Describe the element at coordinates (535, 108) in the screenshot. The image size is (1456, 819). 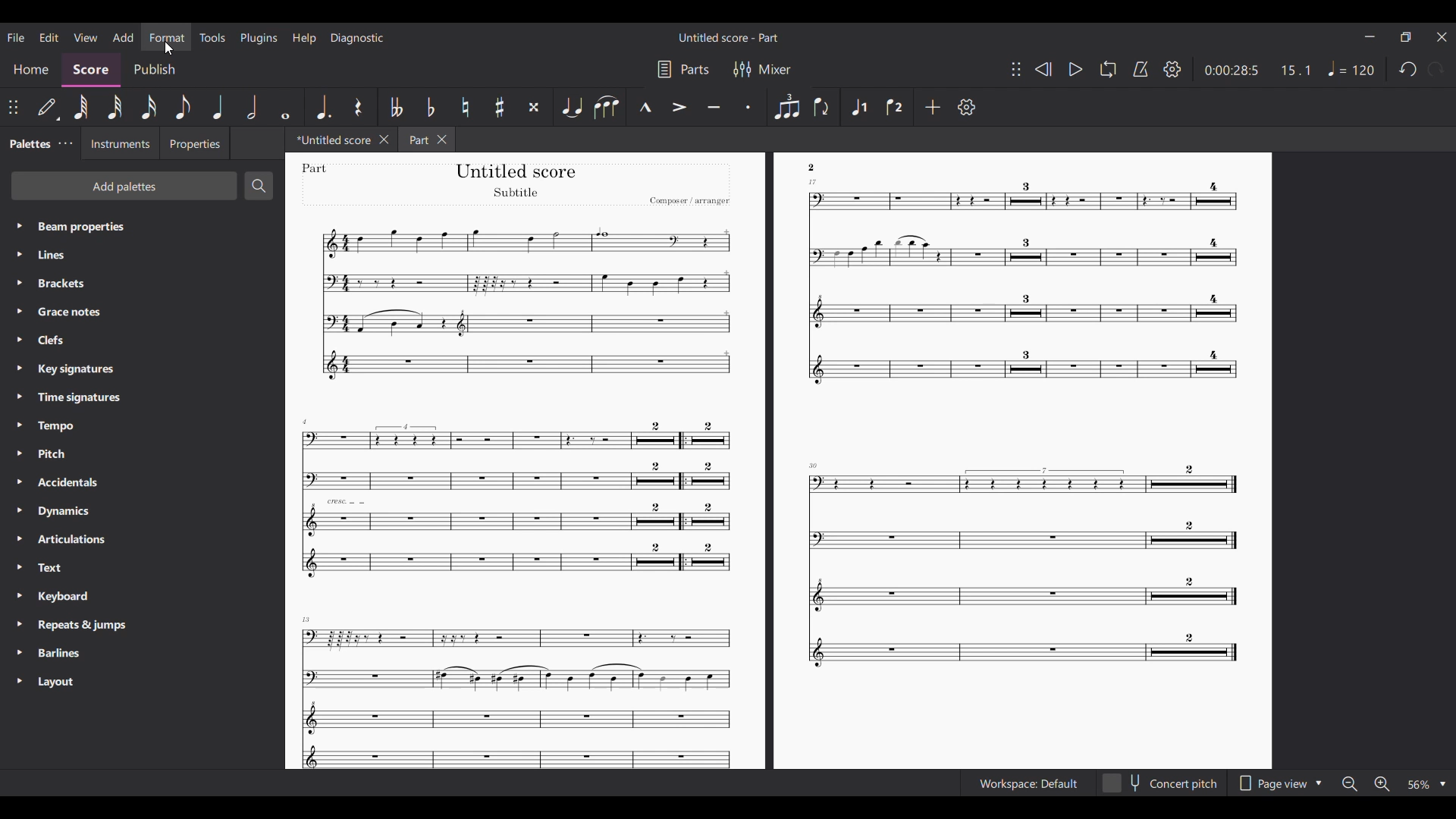
I see `Toggle double sharp` at that location.